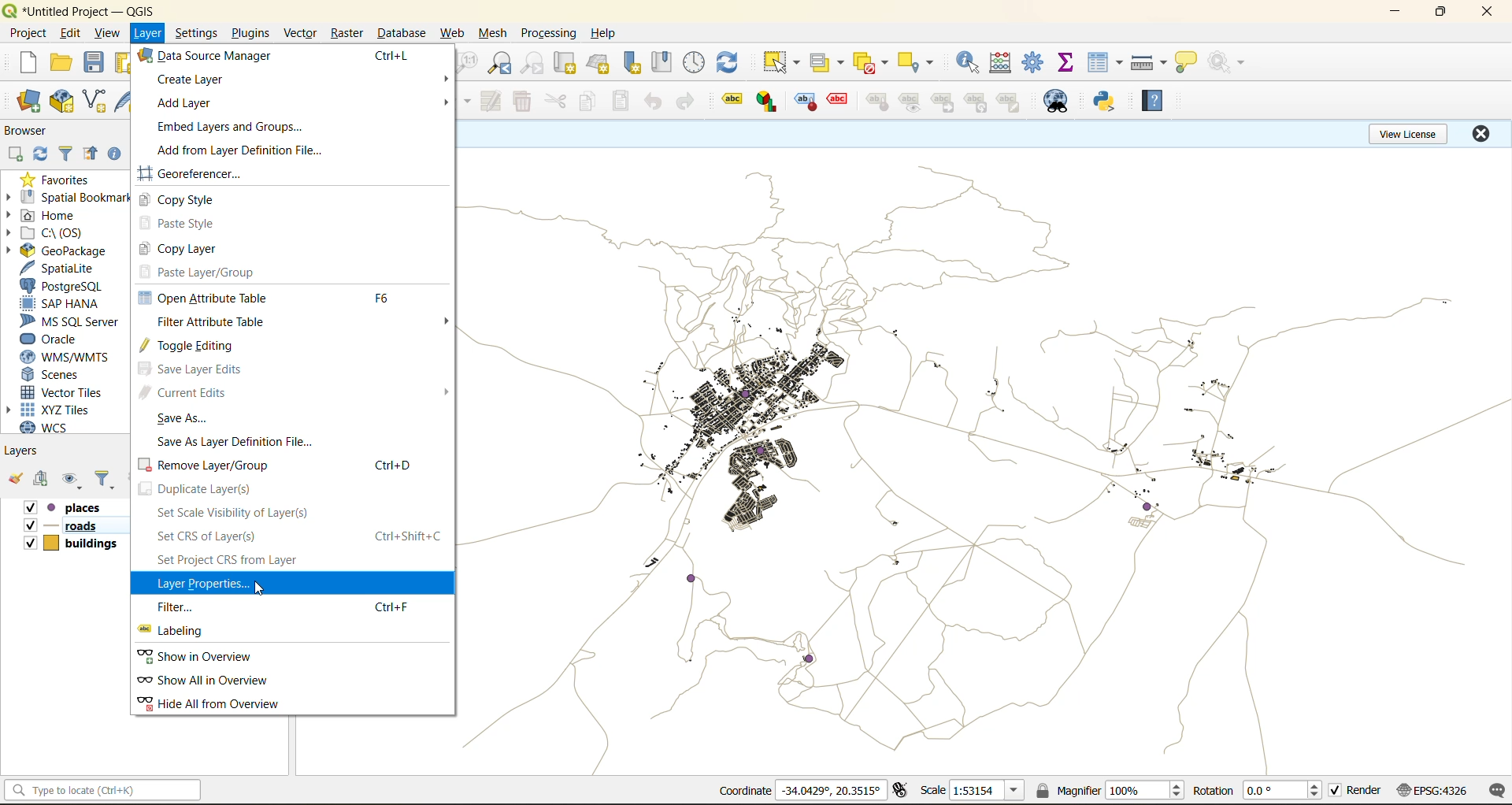 The height and width of the screenshot is (805, 1512). What do you see at coordinates (31, 34) in the screenshot?
I see `project` at bounding box center [31, 34].